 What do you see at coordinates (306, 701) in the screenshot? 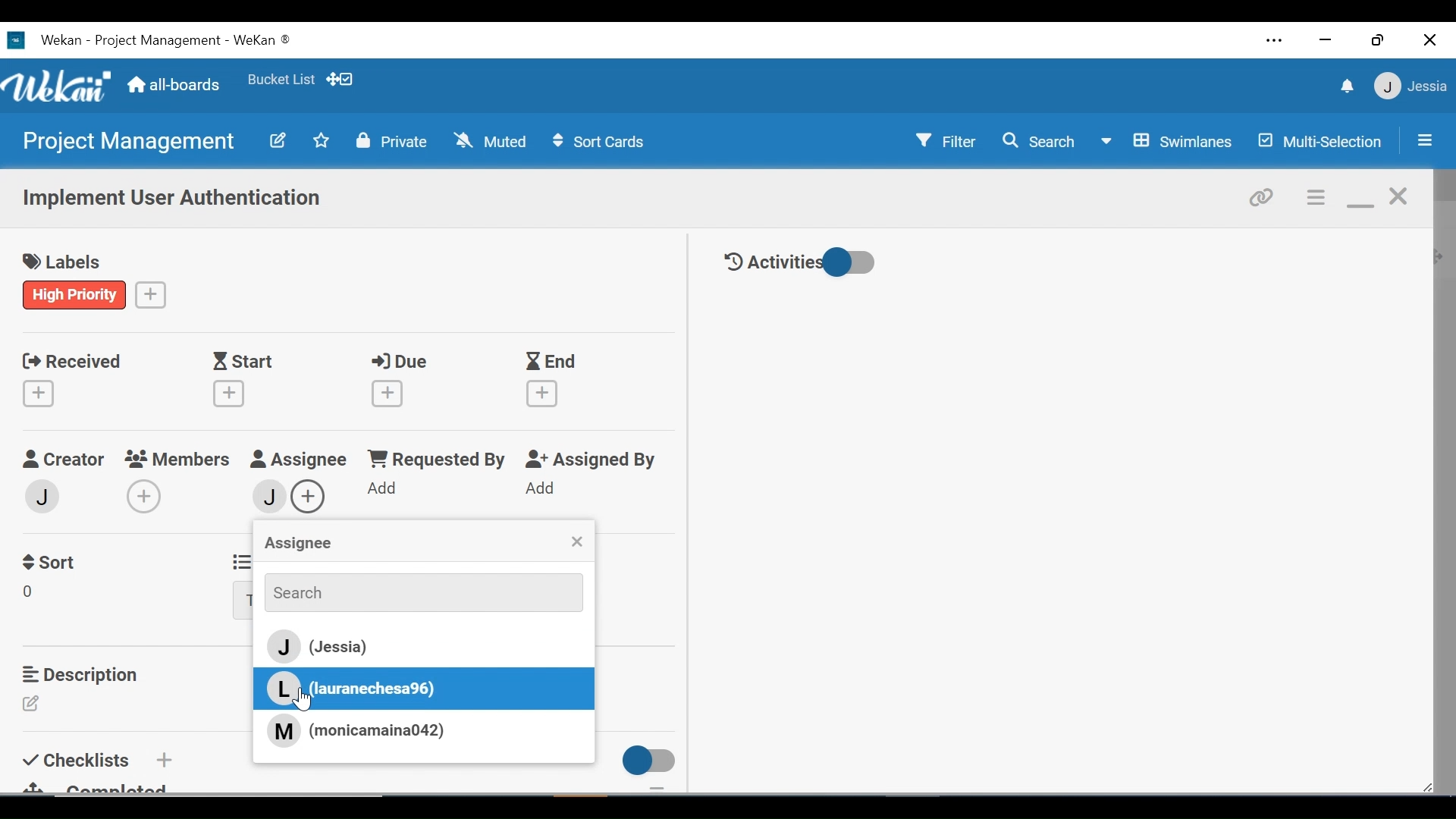
I see `Cursor` at bounding box center [306, 701].